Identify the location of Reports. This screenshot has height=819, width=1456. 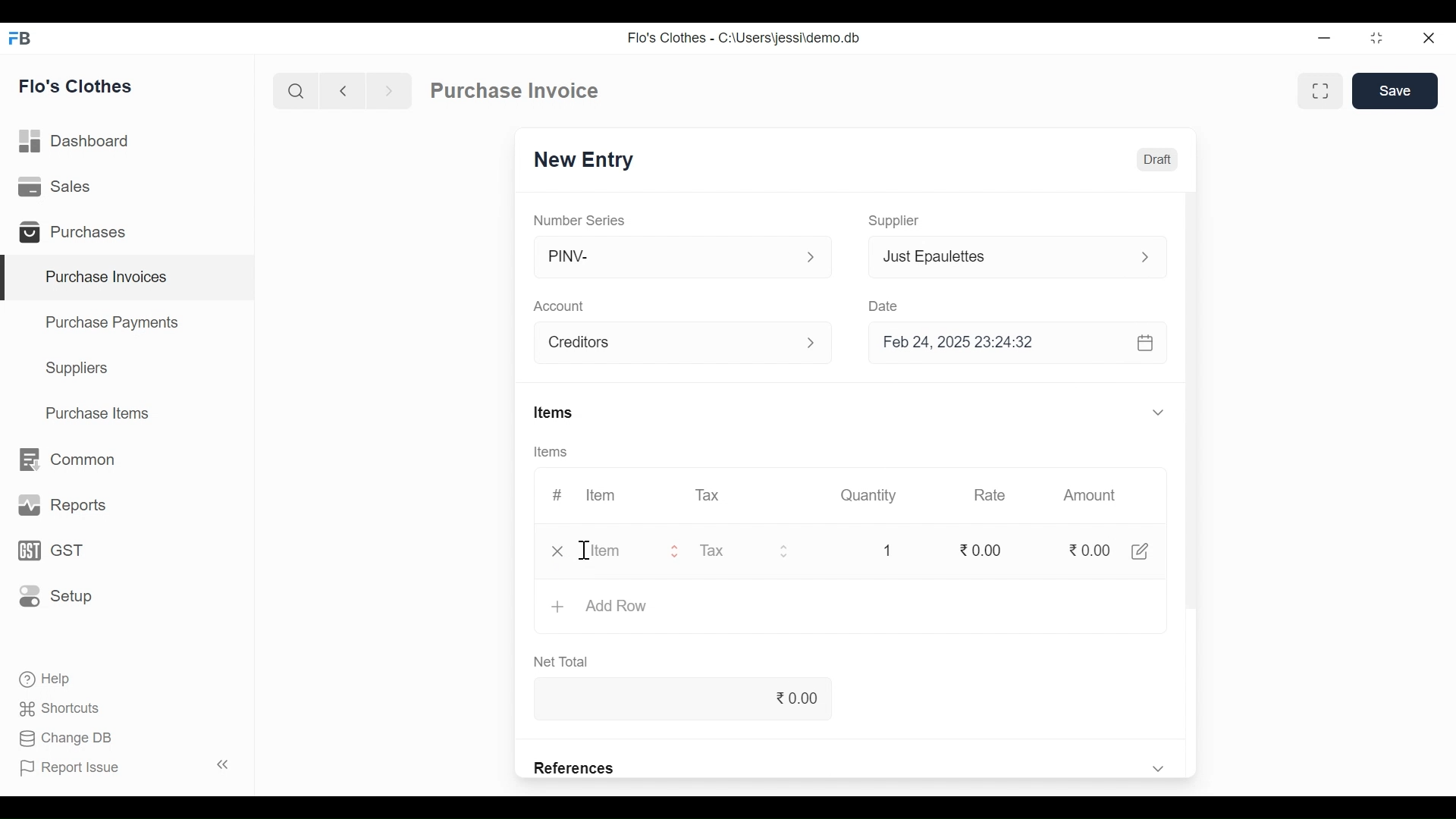
(59, 504).